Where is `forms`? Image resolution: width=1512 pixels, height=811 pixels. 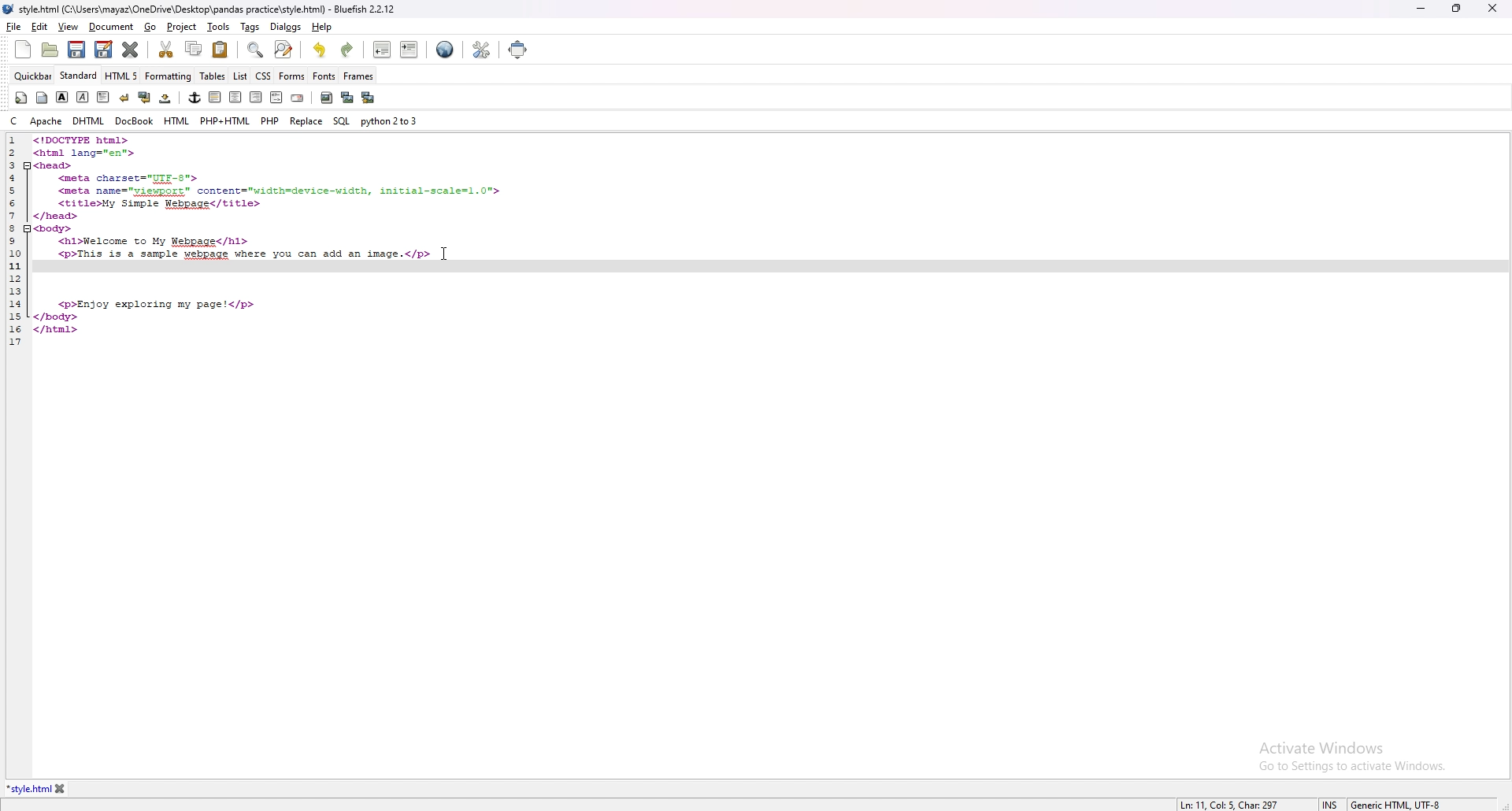 forms is located at coordinates (291, 76).